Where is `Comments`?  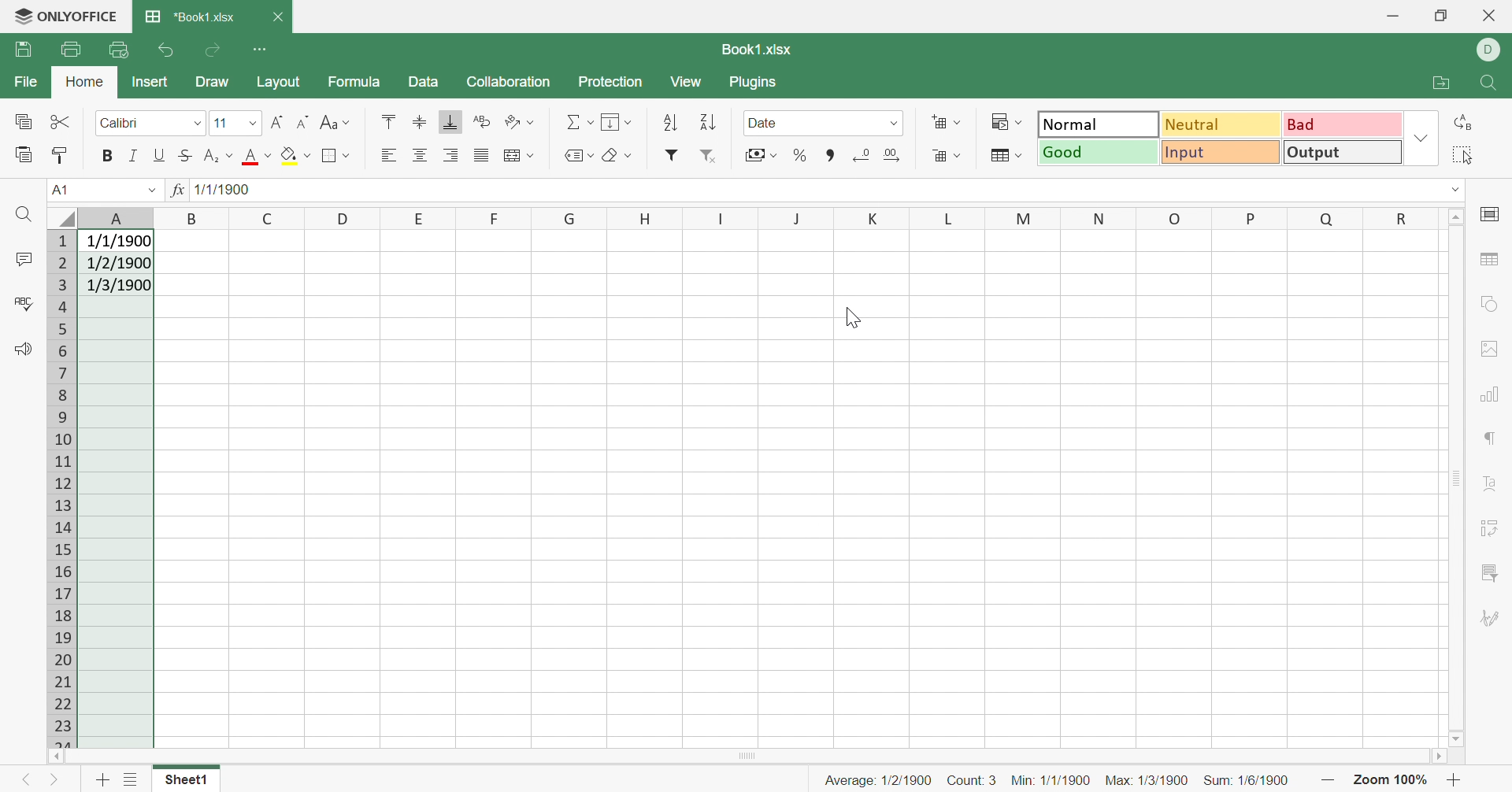
Comments is located at coordinates (23, 261).